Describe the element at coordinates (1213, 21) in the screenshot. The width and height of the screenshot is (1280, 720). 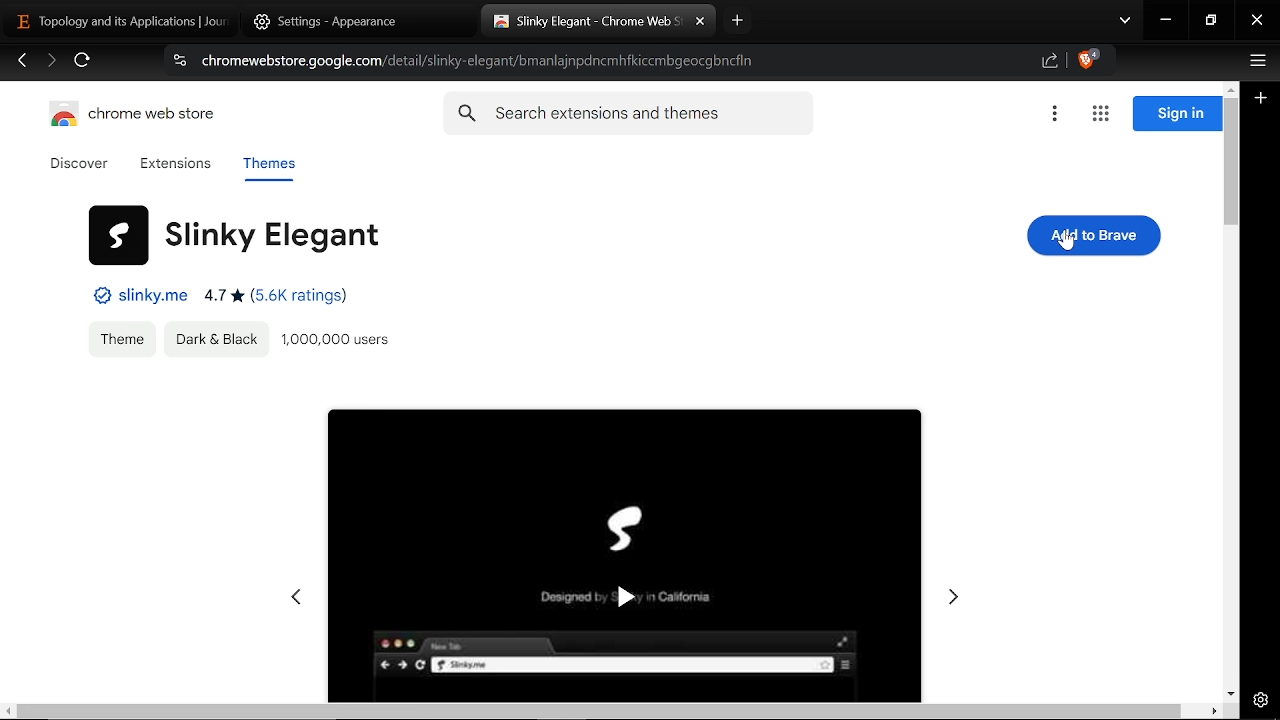
I see `REstore down` at that location.